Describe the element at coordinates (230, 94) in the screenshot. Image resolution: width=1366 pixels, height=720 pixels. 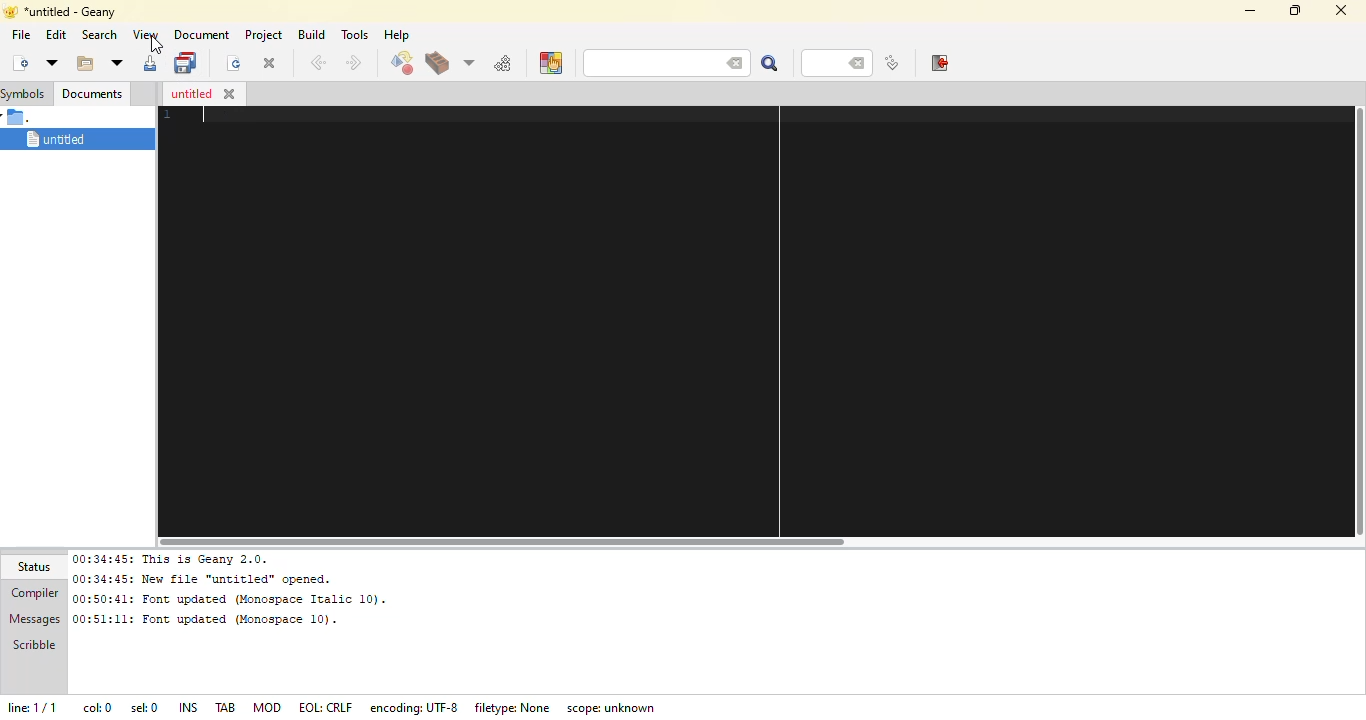
I see `close` at that location.